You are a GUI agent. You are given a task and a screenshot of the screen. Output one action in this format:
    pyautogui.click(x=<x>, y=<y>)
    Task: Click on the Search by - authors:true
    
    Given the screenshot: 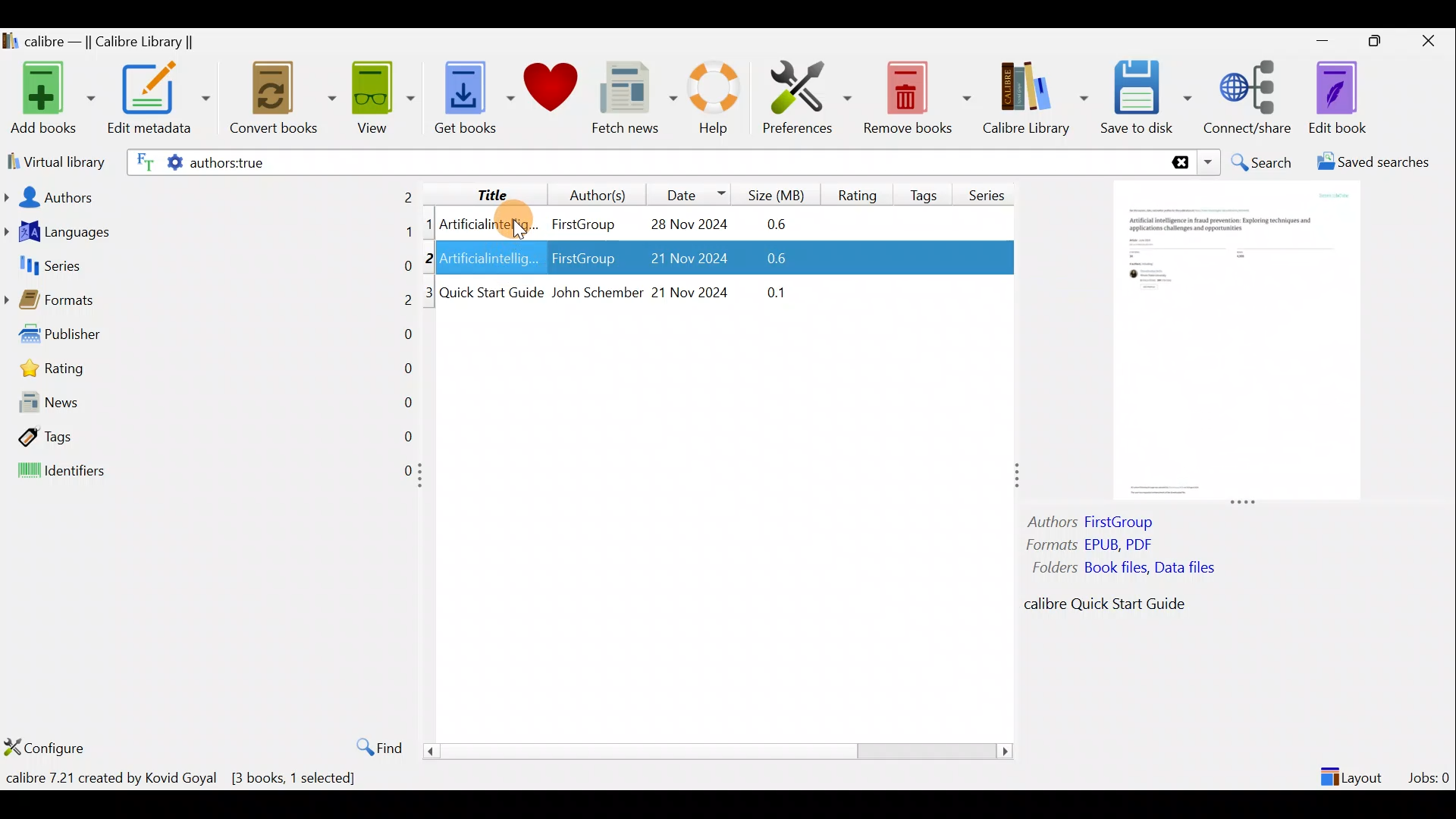 What is the action you would take?
    pyautogui.click(x=642, y=162)
    